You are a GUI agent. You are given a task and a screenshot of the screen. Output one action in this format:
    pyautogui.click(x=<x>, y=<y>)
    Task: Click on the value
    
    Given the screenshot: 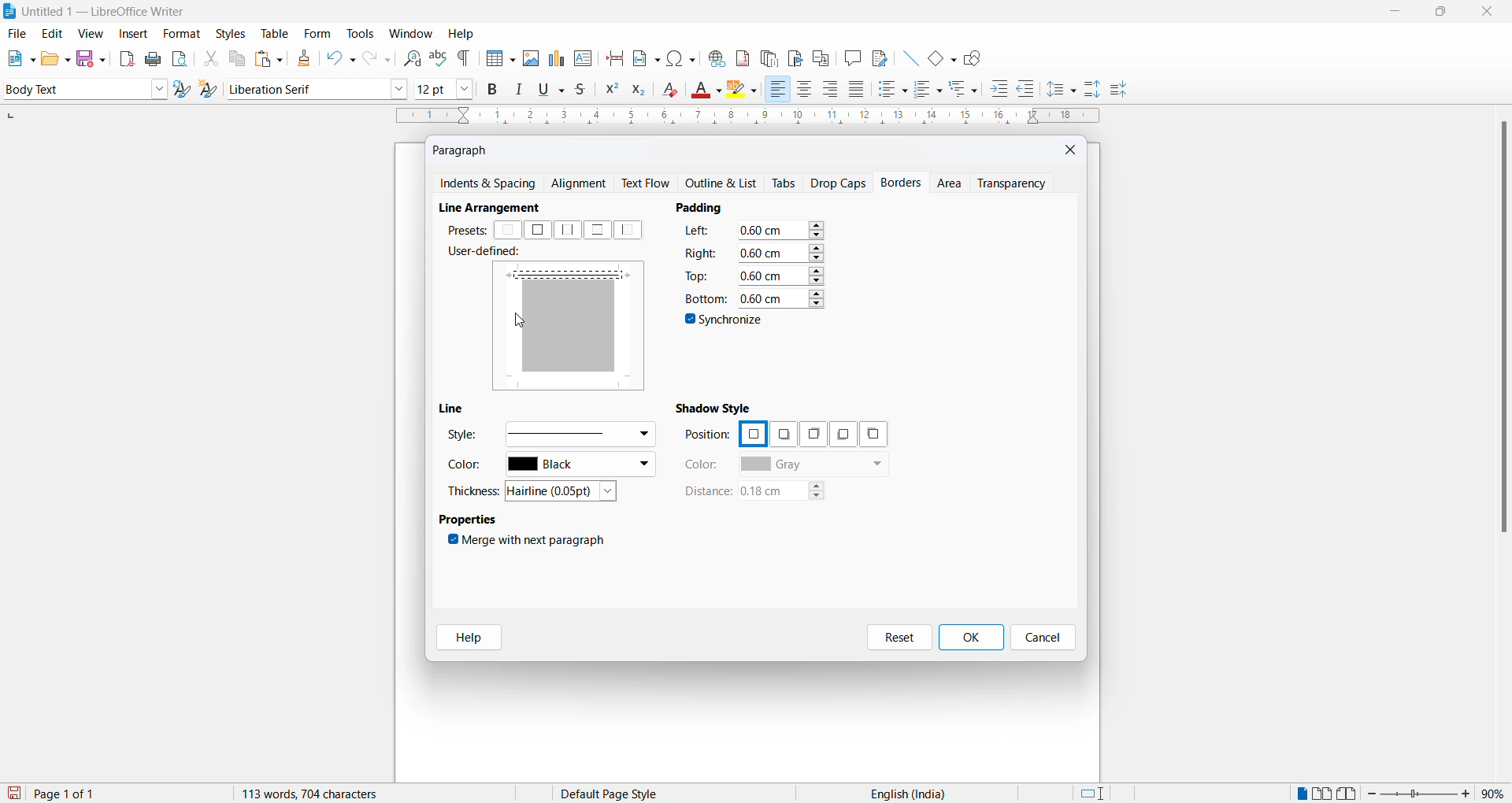 What is the action you would take?
    pyautogui.click(x=780, y=252)
    